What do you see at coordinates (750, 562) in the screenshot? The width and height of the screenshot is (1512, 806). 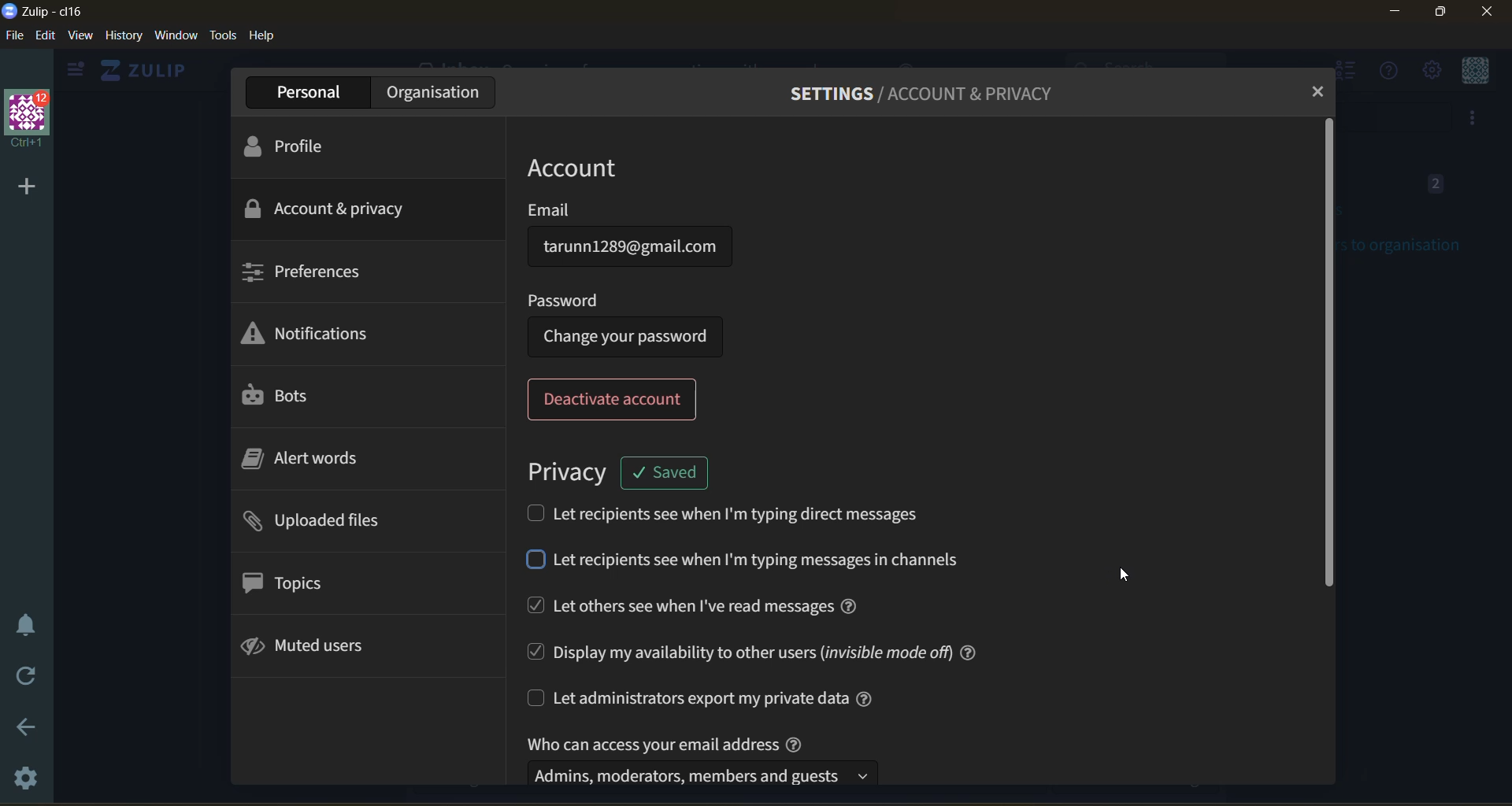 I see `(unchecked) let recepients see when i'm typing messages in channels` at bounding box center [750, 562].